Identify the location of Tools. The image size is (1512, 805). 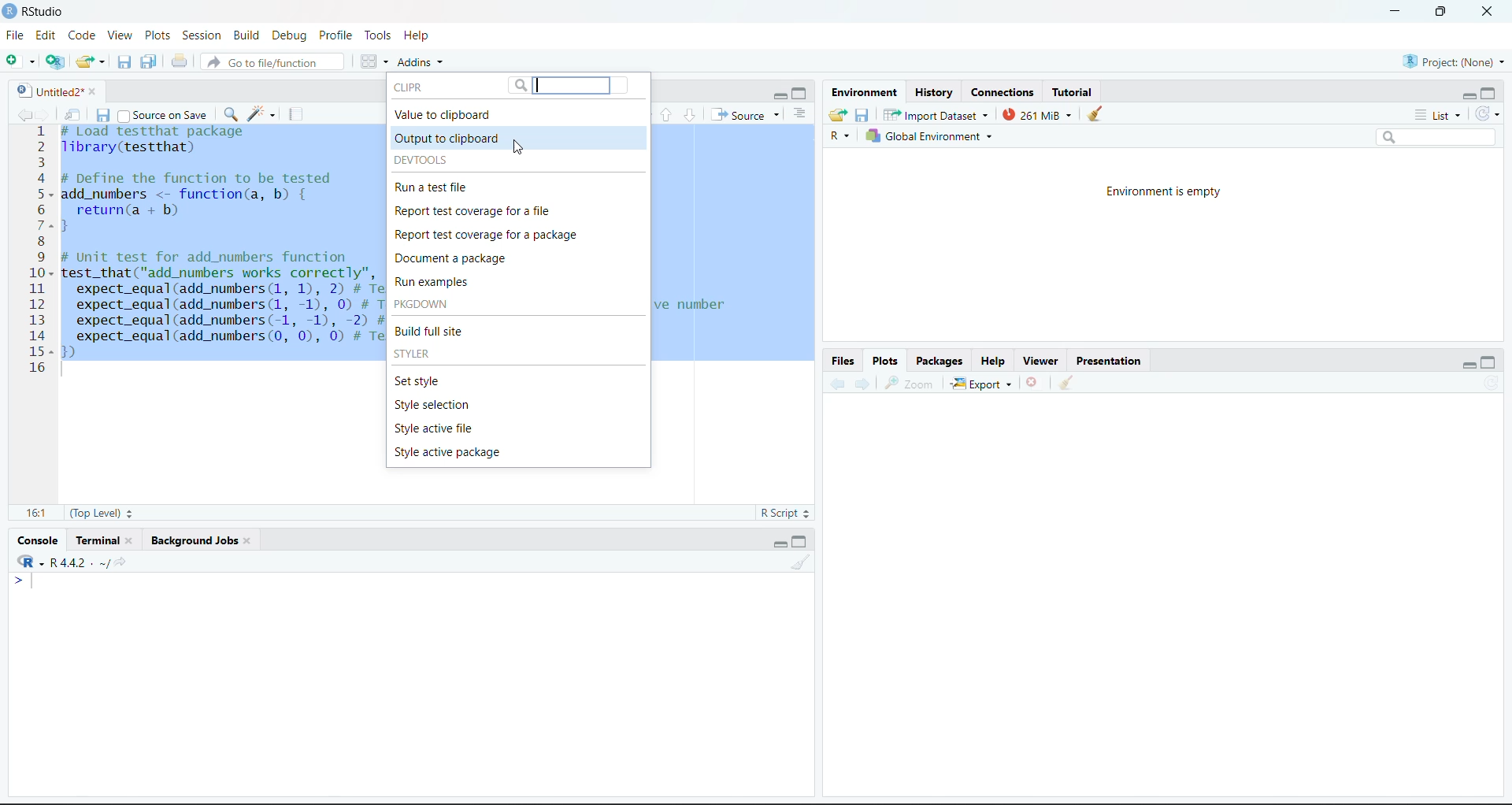
(376, 35).